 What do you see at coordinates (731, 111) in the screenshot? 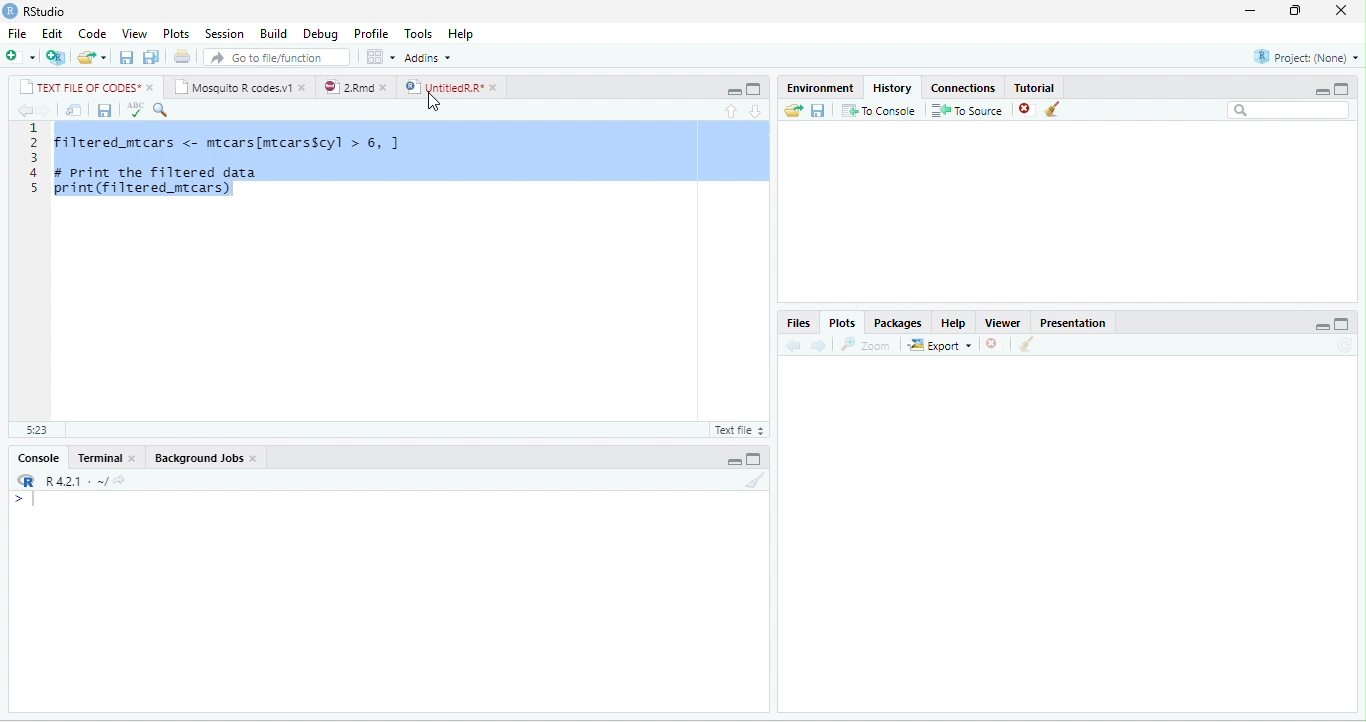
I see `up` at bounding box center [731, 111].